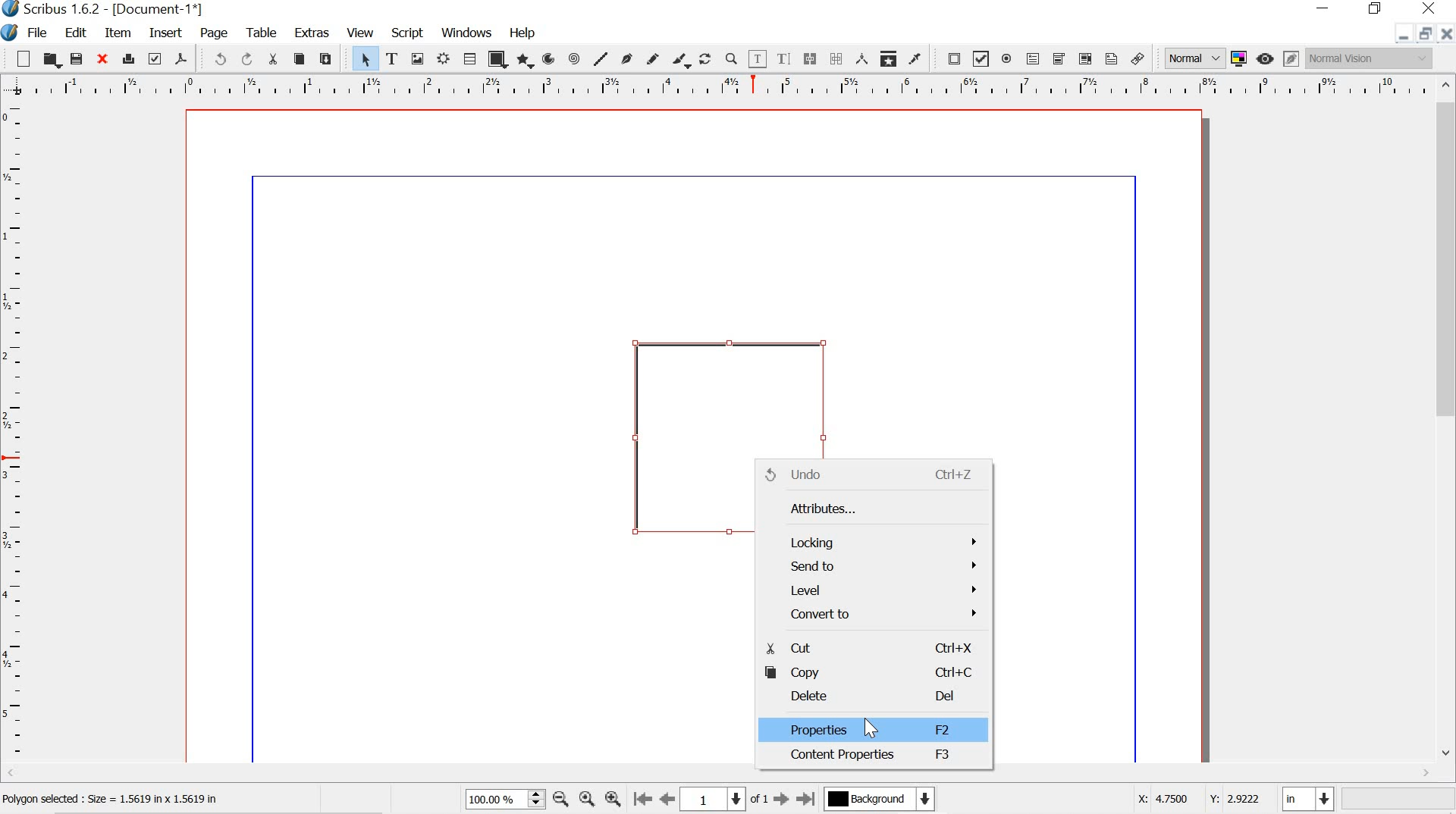  I want to click on rotate item, so click(705, 58).